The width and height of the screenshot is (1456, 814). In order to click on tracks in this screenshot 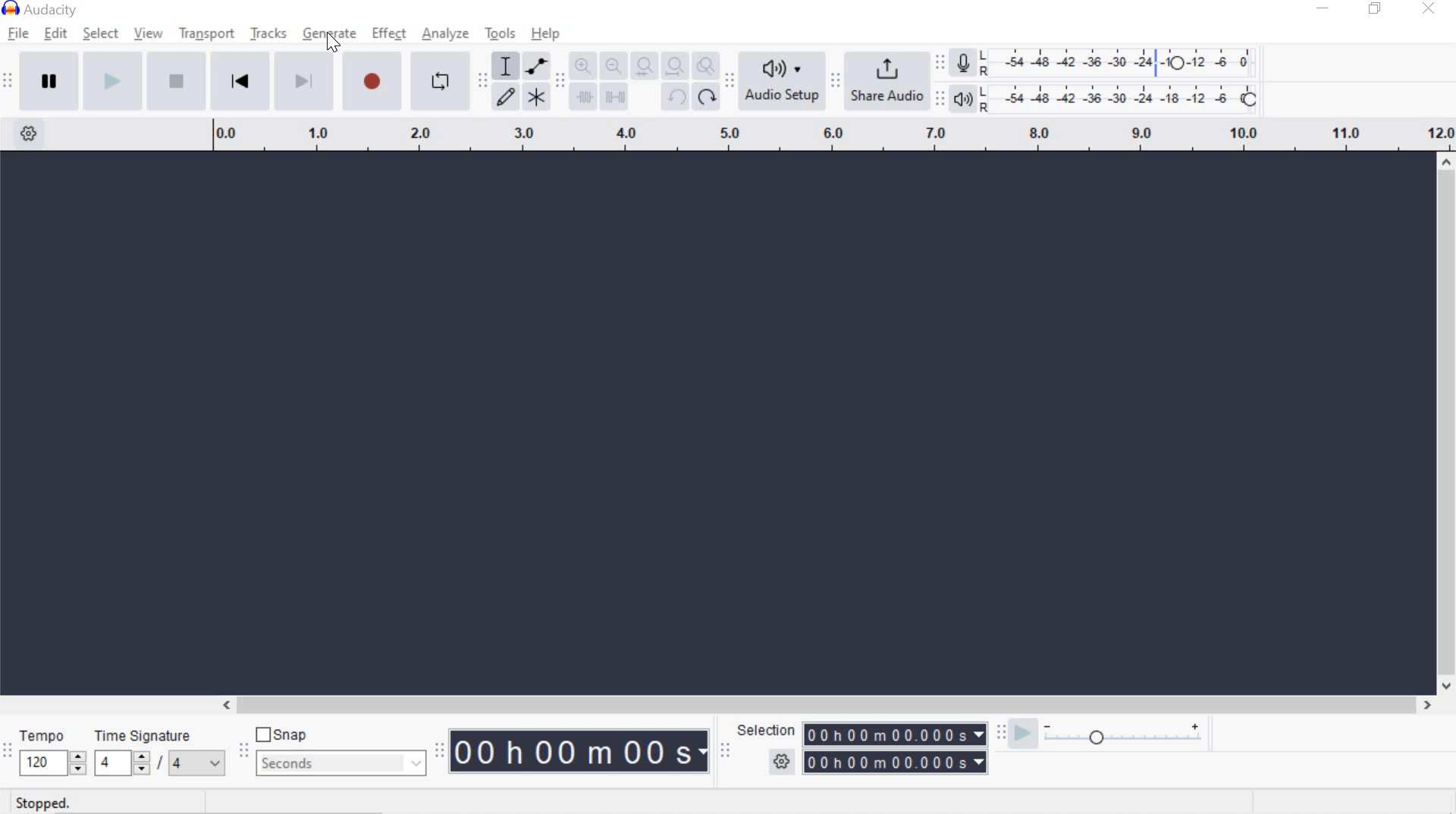, I will do `click(270, 34)`.